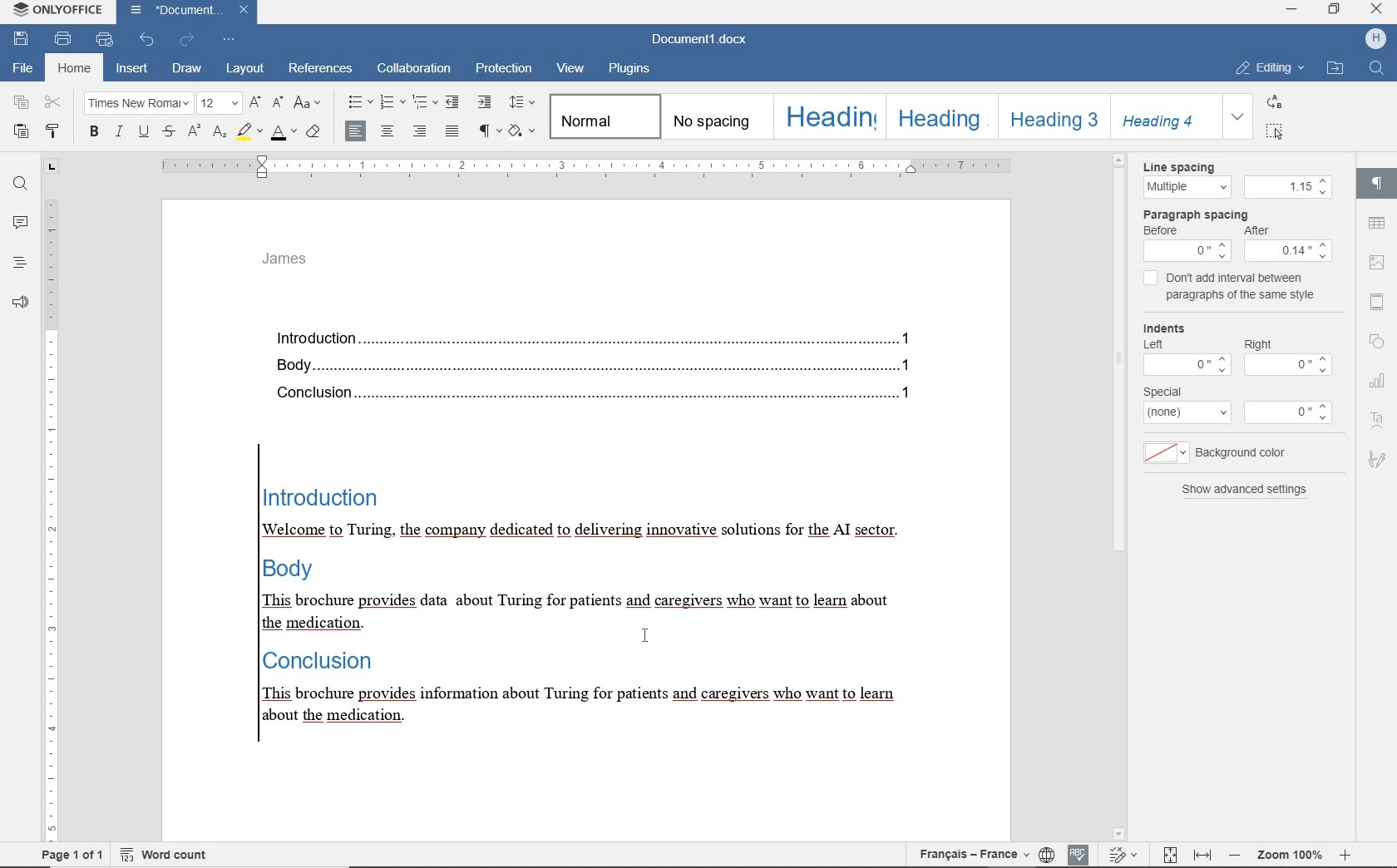 Image resolution: width=1397 pixels, height=868 pixels. I want to click on track changes, so click(1119, 855).